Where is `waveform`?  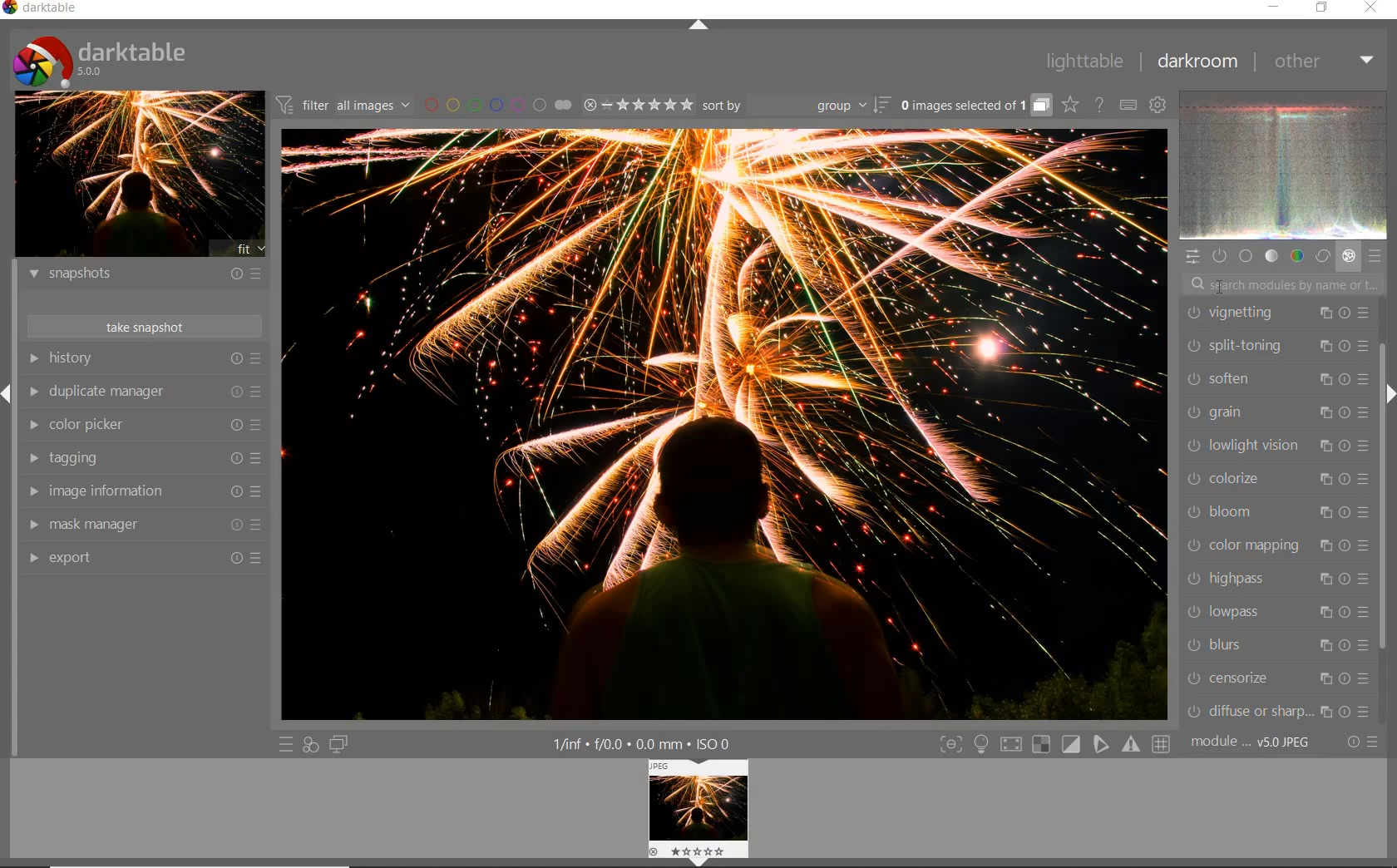
waveform is located at coordinates (1285, 165).